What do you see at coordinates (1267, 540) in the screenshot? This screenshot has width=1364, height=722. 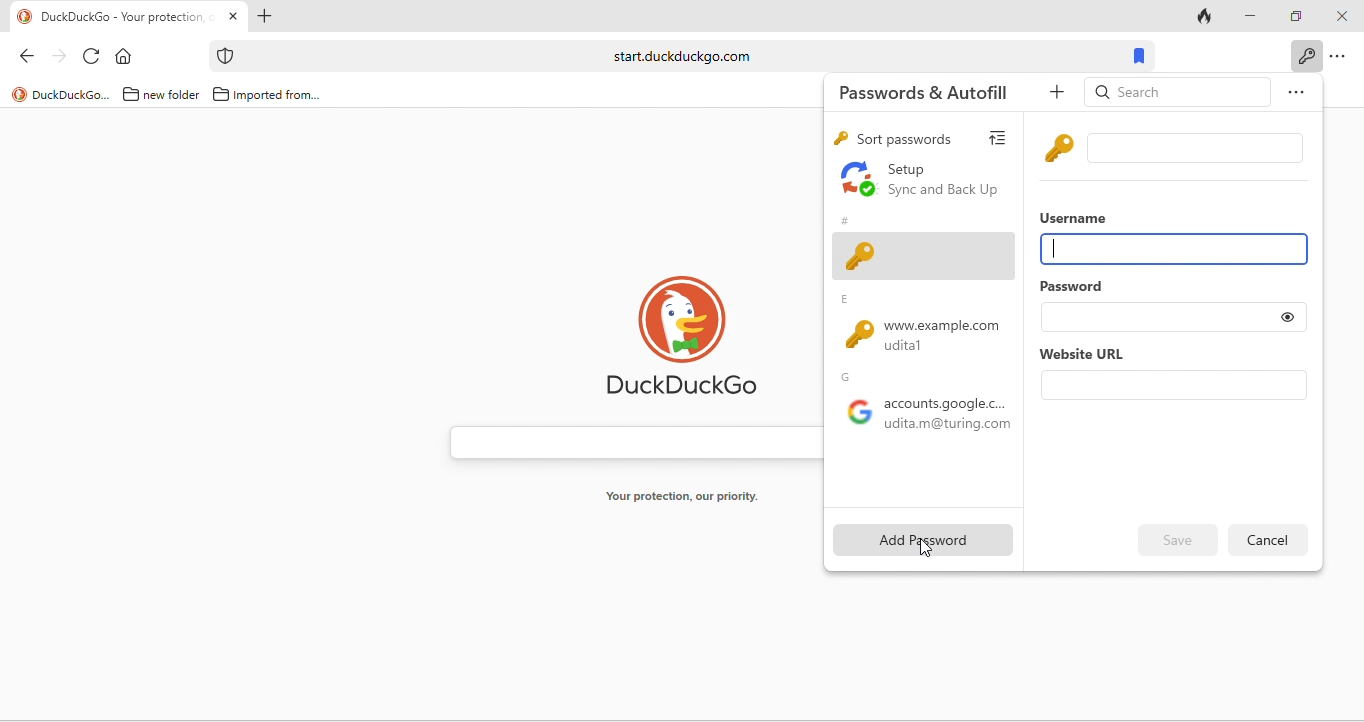 I see `delete` at bounding box center [1267, 540].